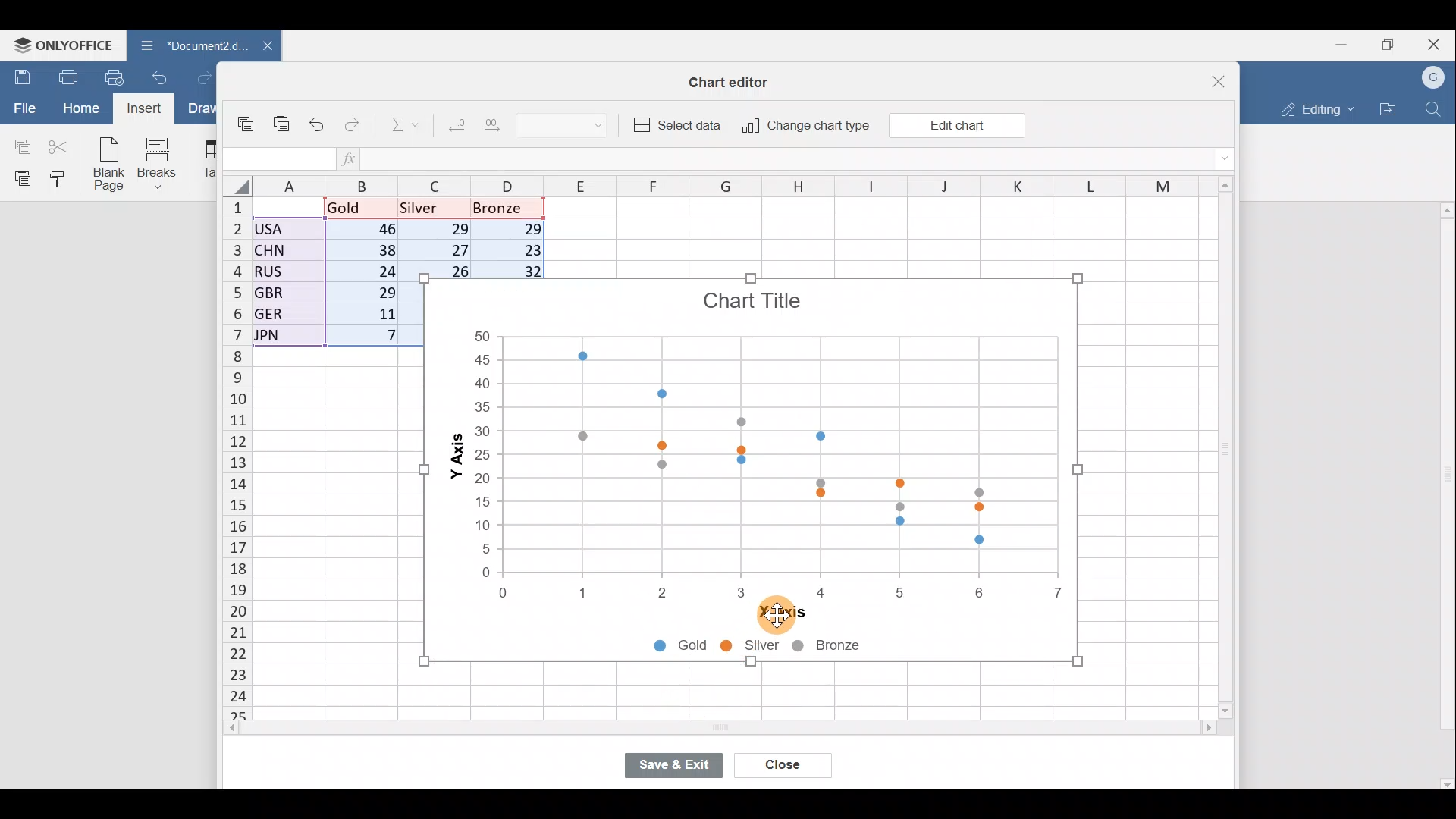 The image size is (1456, 819). Describe the element at coordinates (504, 129) in the screenshot. I see `Increase decimal` at that location.